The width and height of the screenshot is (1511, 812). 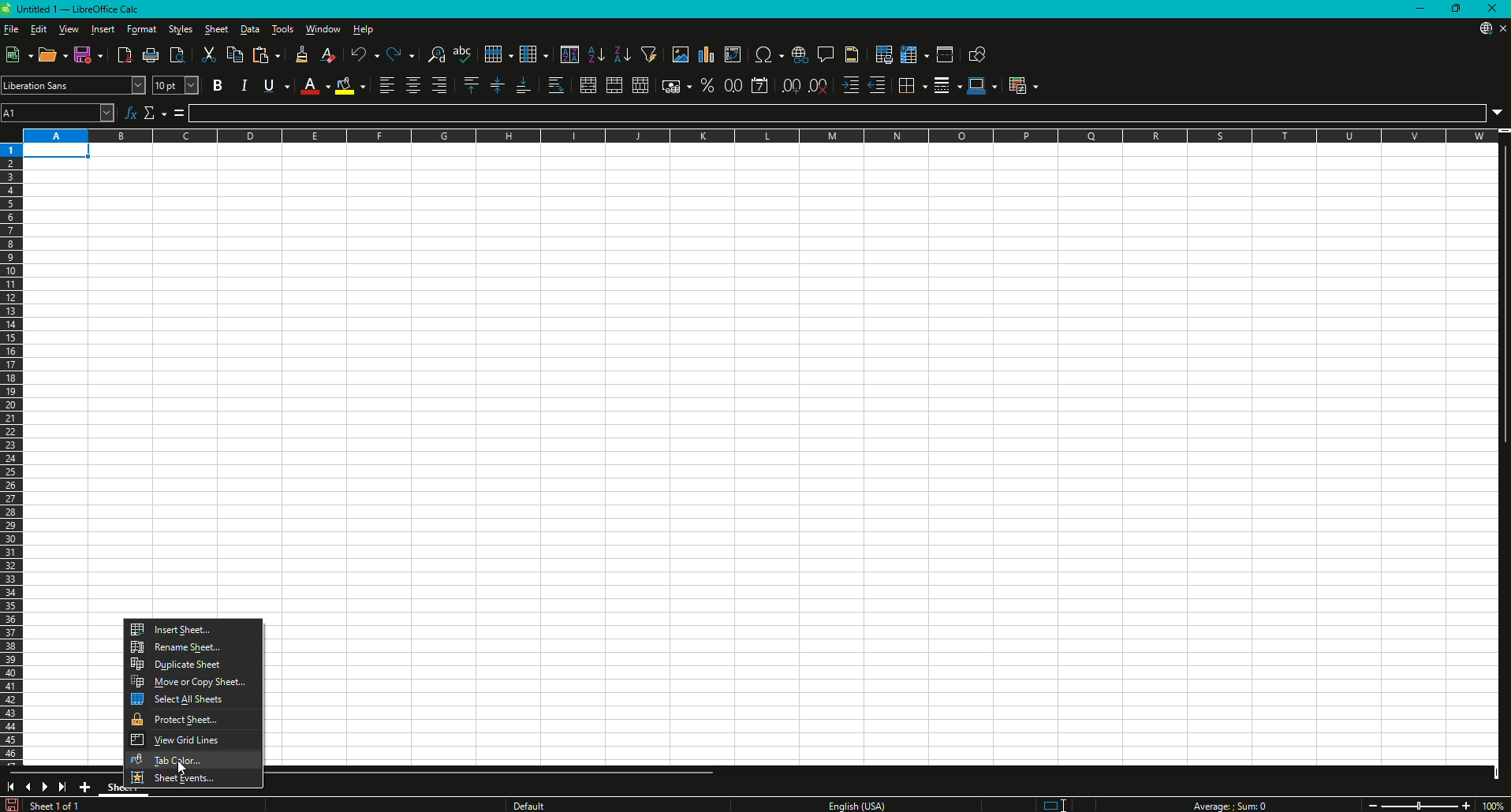 What do you see at coordinates (53, 54) in the screenshot?
I see `Open` at bounding box center [53, 54].